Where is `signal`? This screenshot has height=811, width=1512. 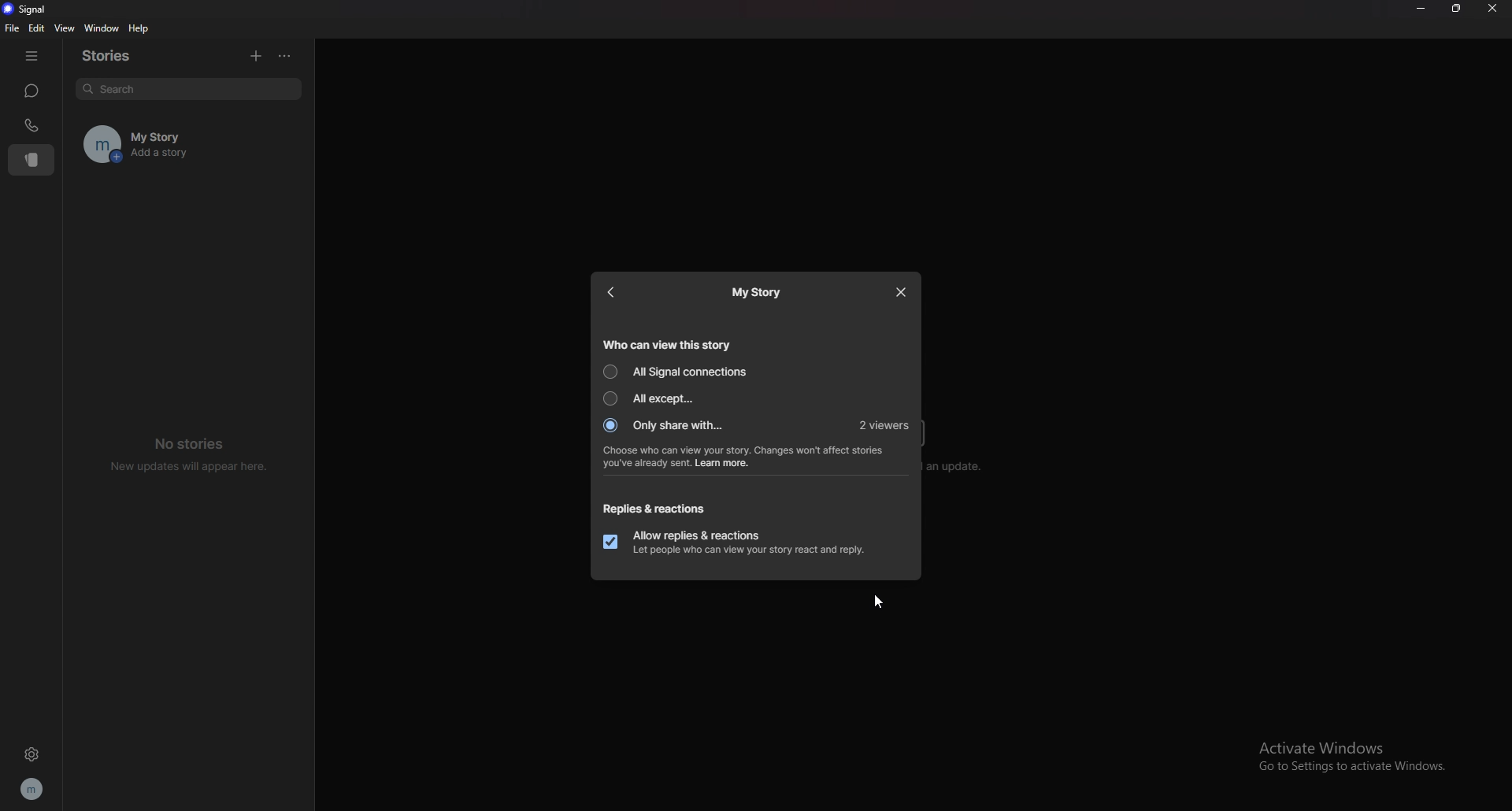
signal is located at coordinates (28, 9).